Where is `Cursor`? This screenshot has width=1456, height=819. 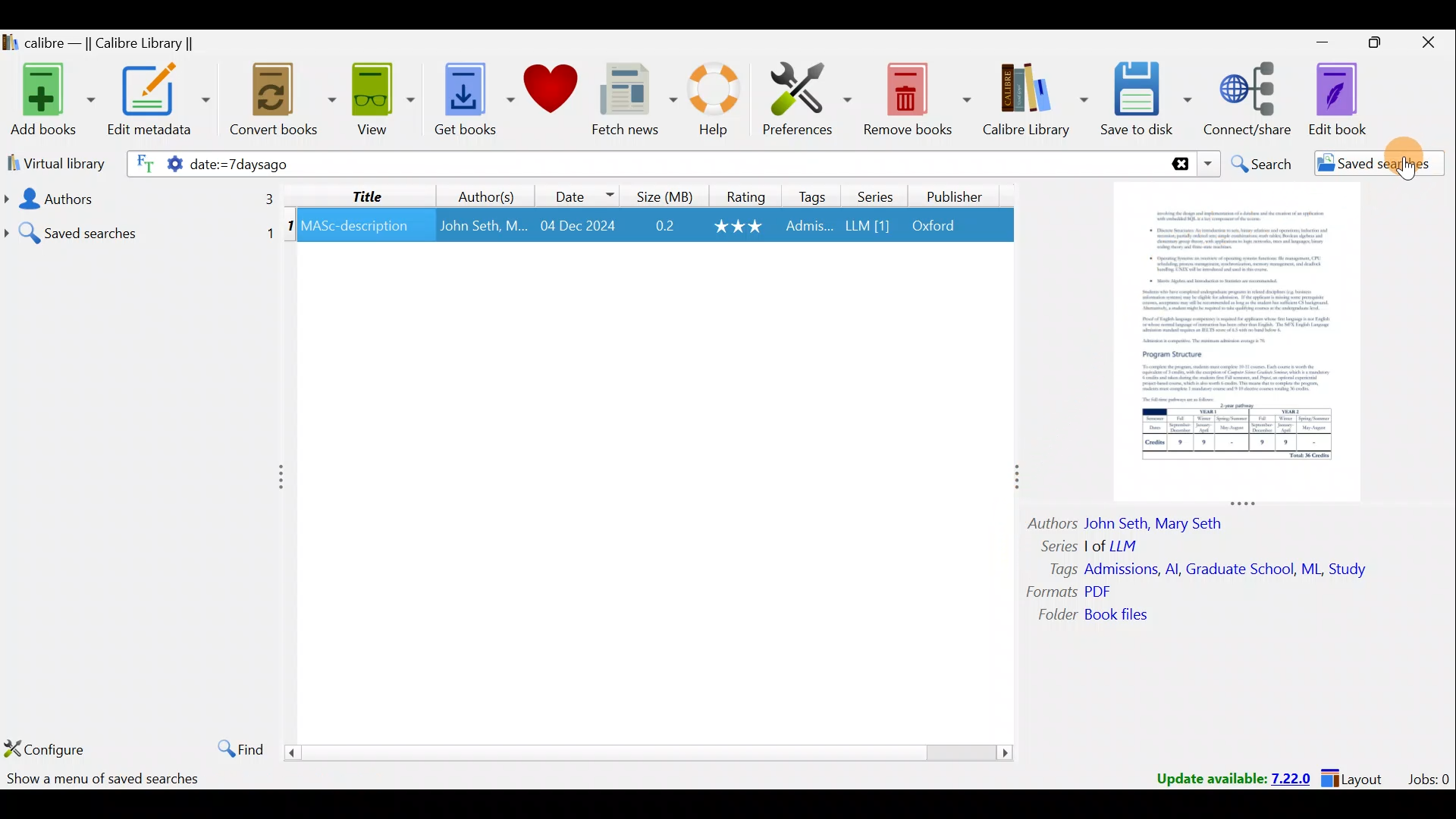 Cursor is located at coordinates (1405, 158).